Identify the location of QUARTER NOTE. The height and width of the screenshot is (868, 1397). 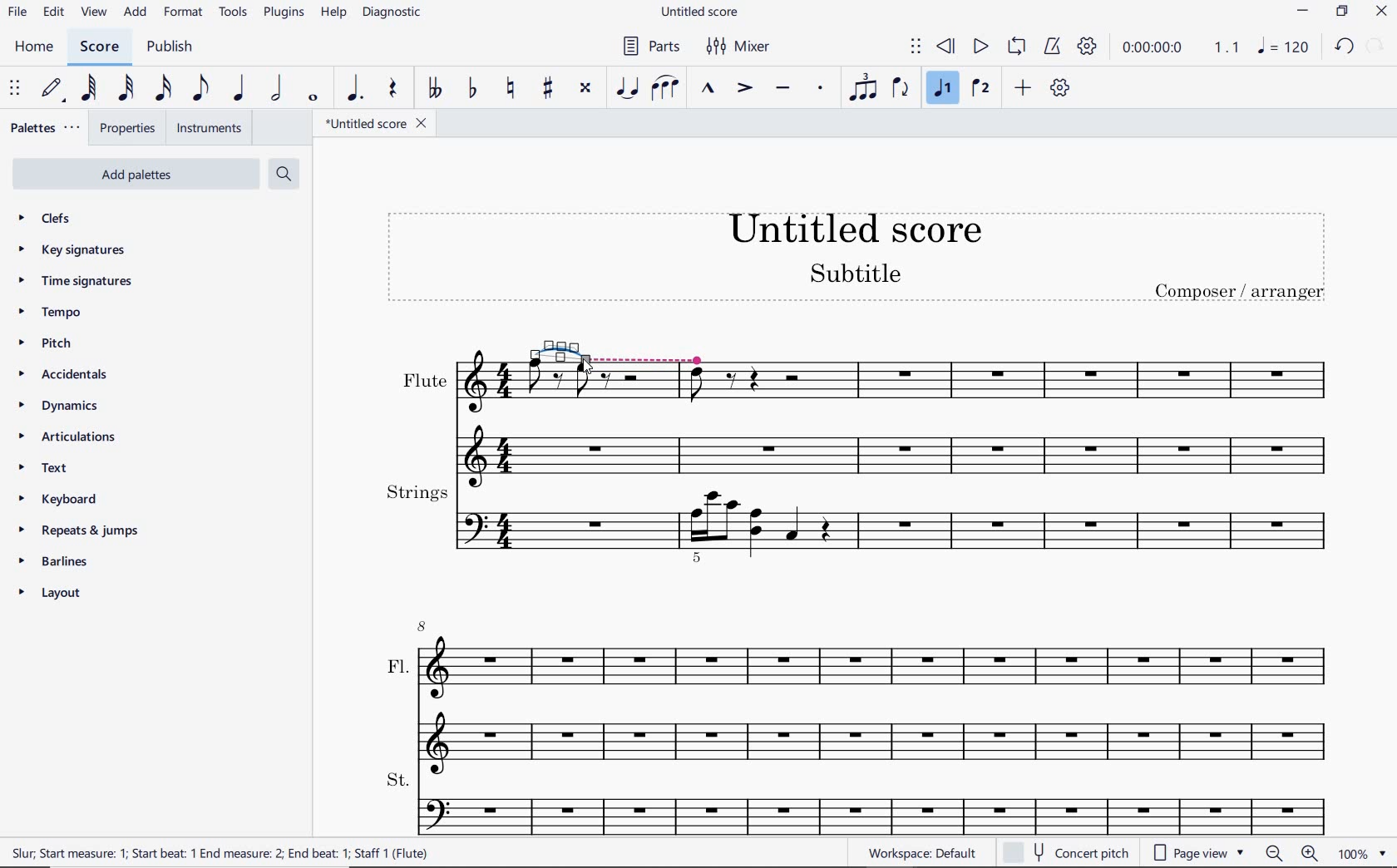
(243, 88).